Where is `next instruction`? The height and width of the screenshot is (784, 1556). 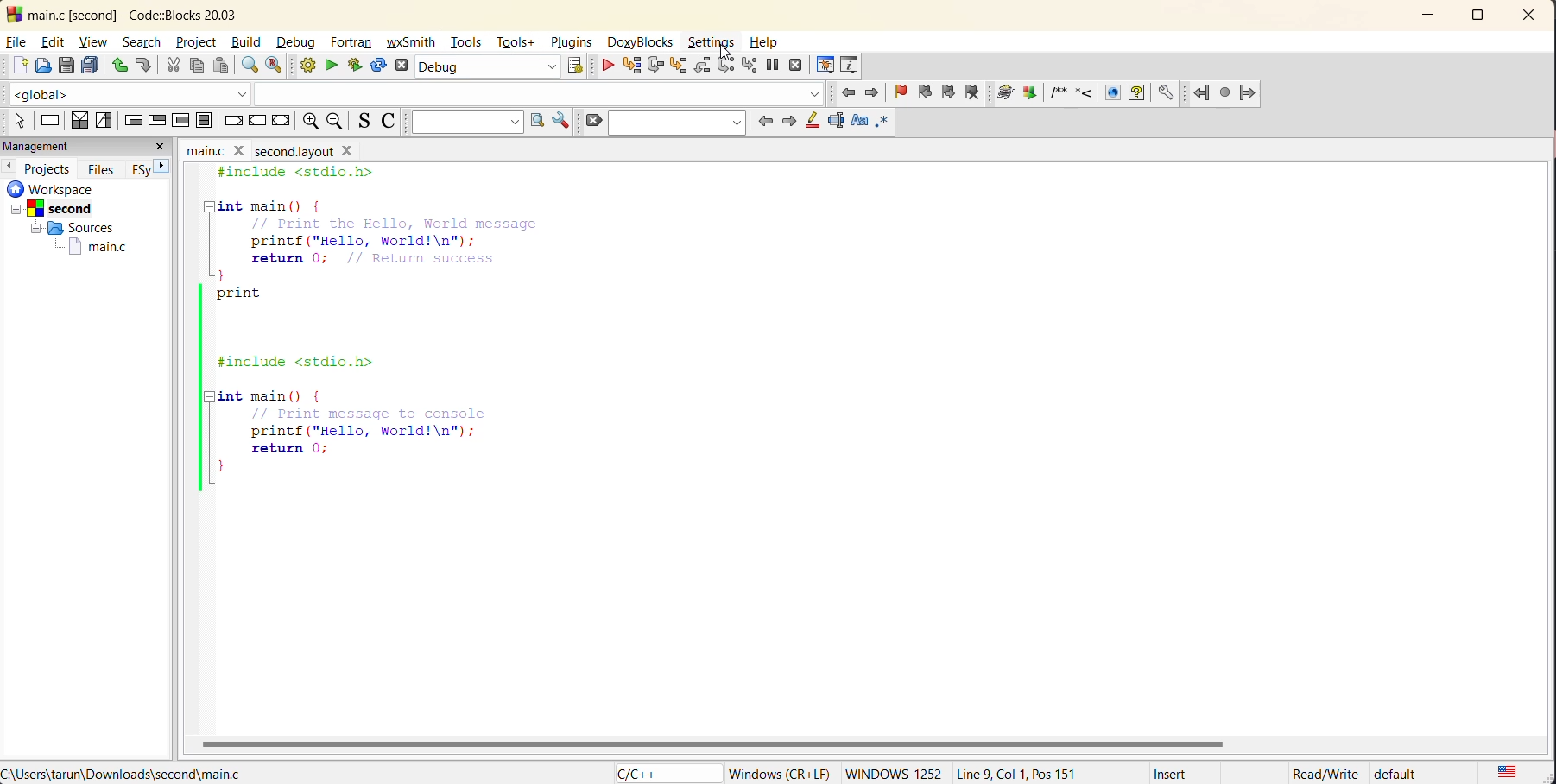 next instruction is located at coordinates (728, 66).